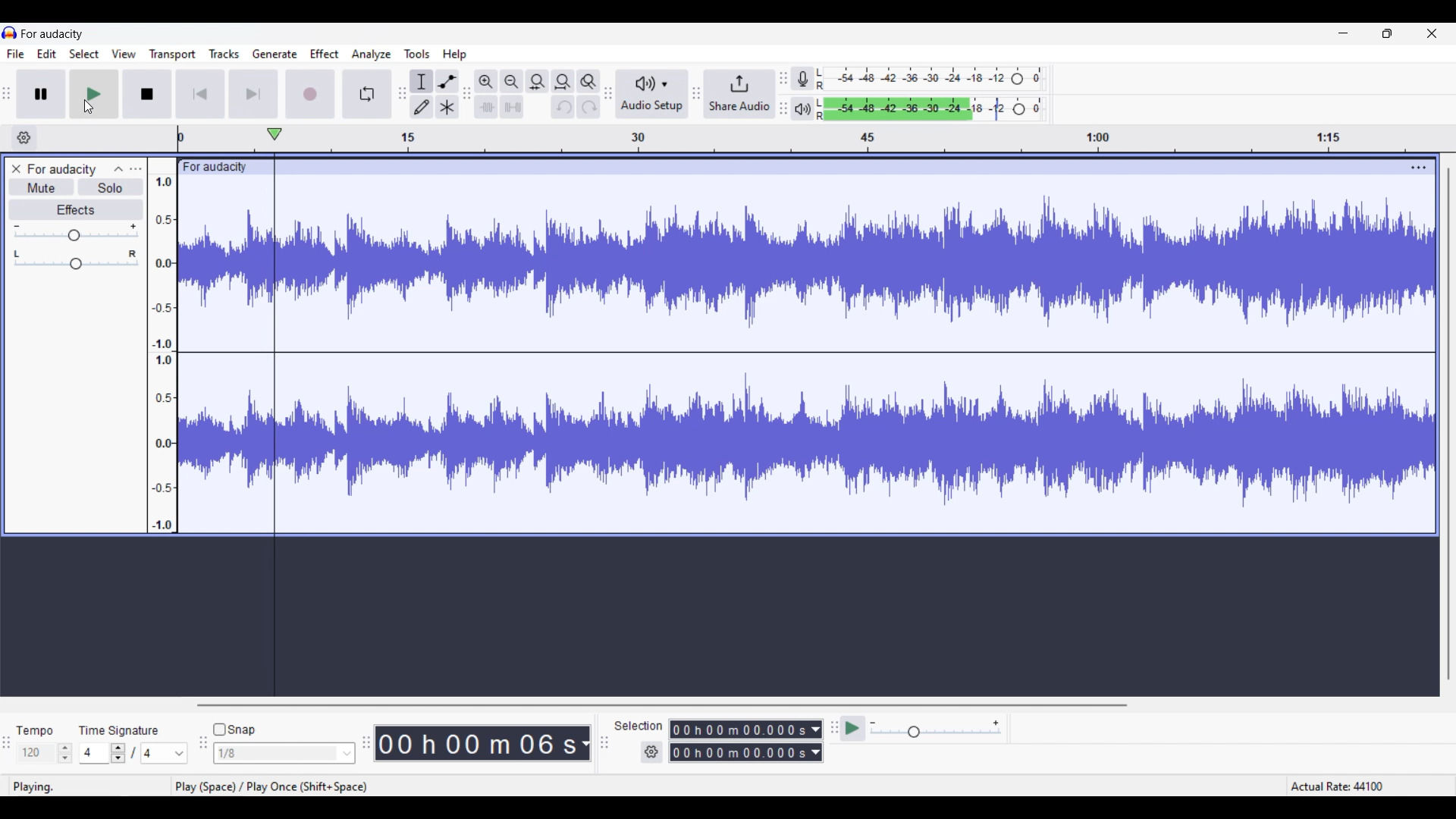  What do you see at coordinates (1432, 33) in the screenshot?
I see `Close interface` at bounding box center [1432, 33].